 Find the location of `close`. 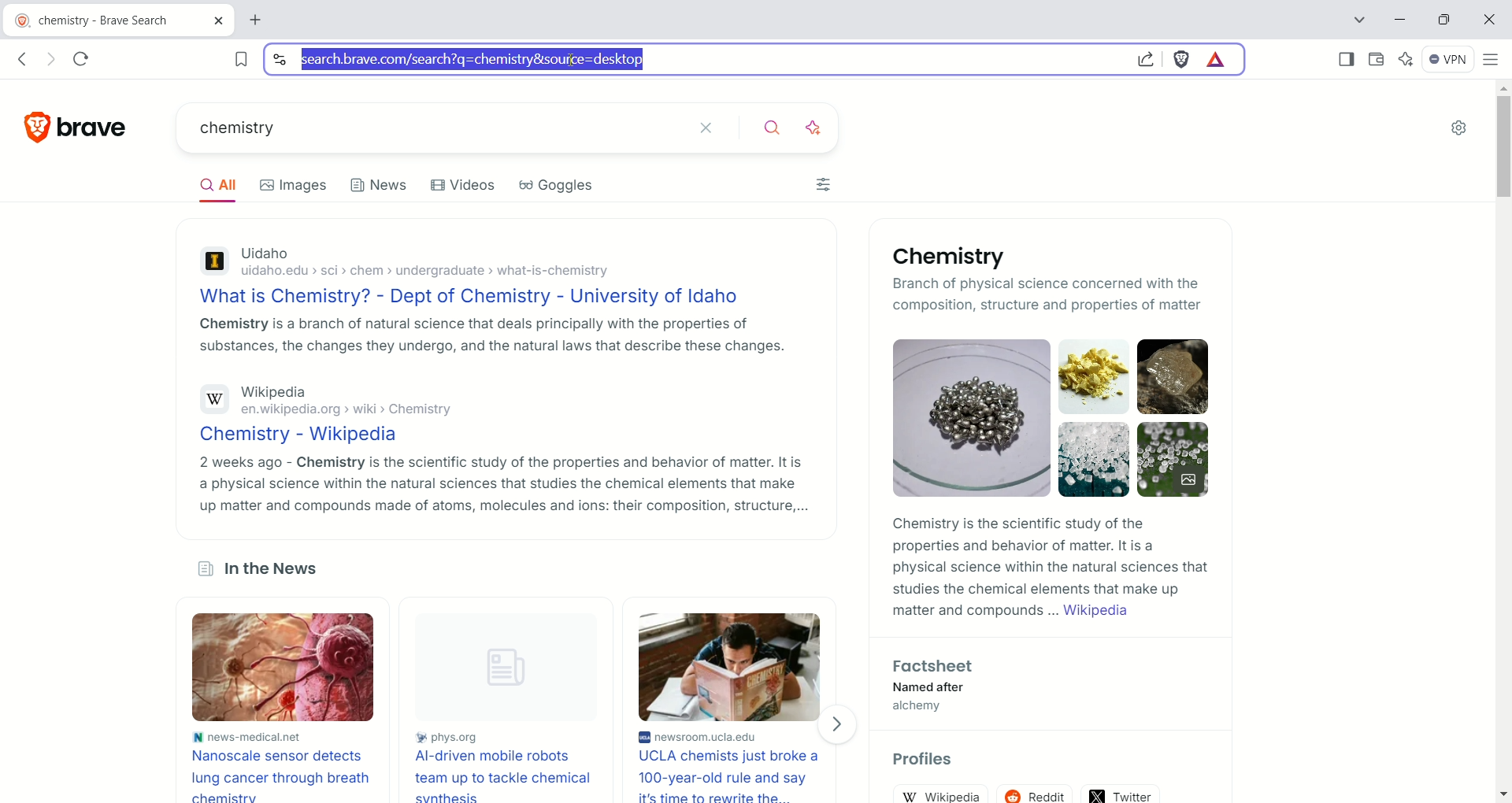

close is located at coordinates (1487, 21).